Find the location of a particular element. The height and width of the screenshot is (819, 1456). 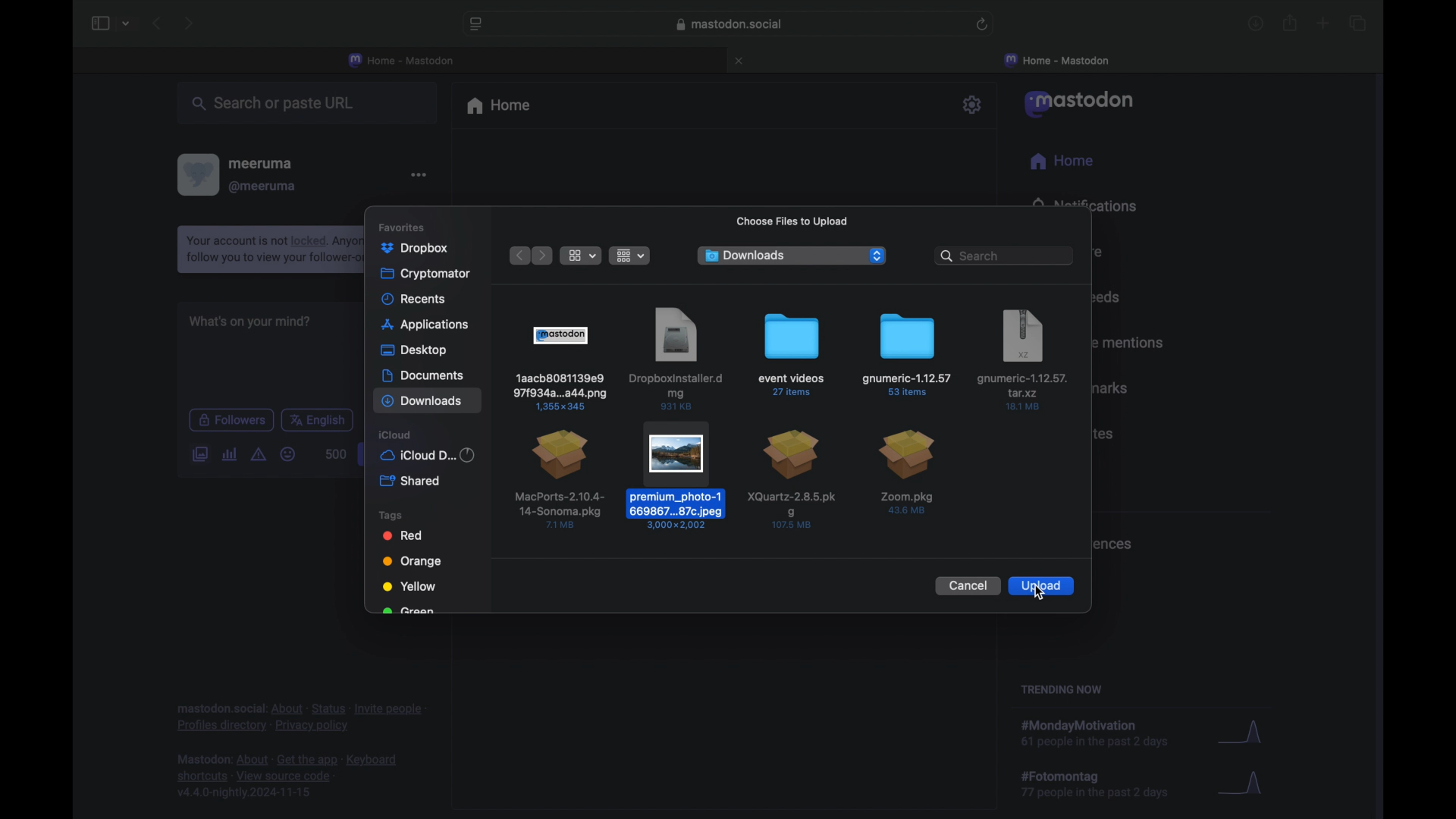

emoji is located at coordinates (288, 455).